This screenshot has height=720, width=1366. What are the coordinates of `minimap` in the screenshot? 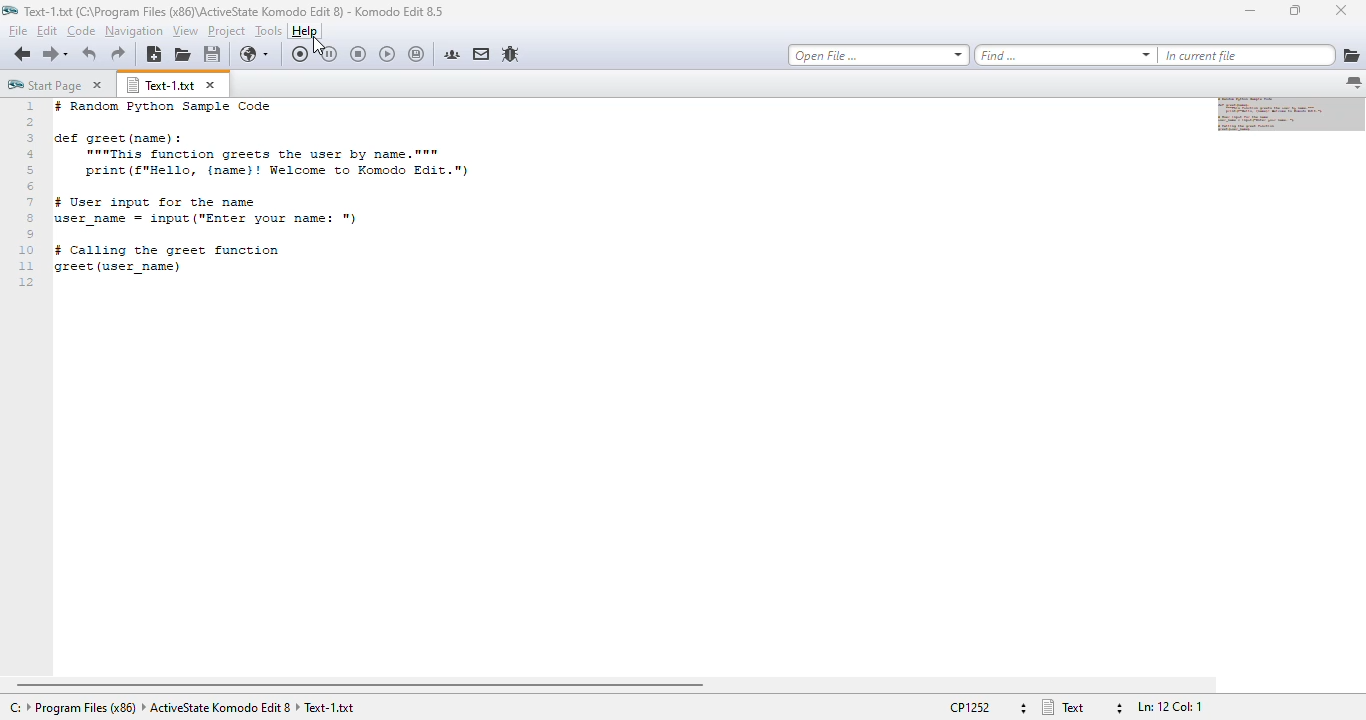 It's located at (1292, 115).